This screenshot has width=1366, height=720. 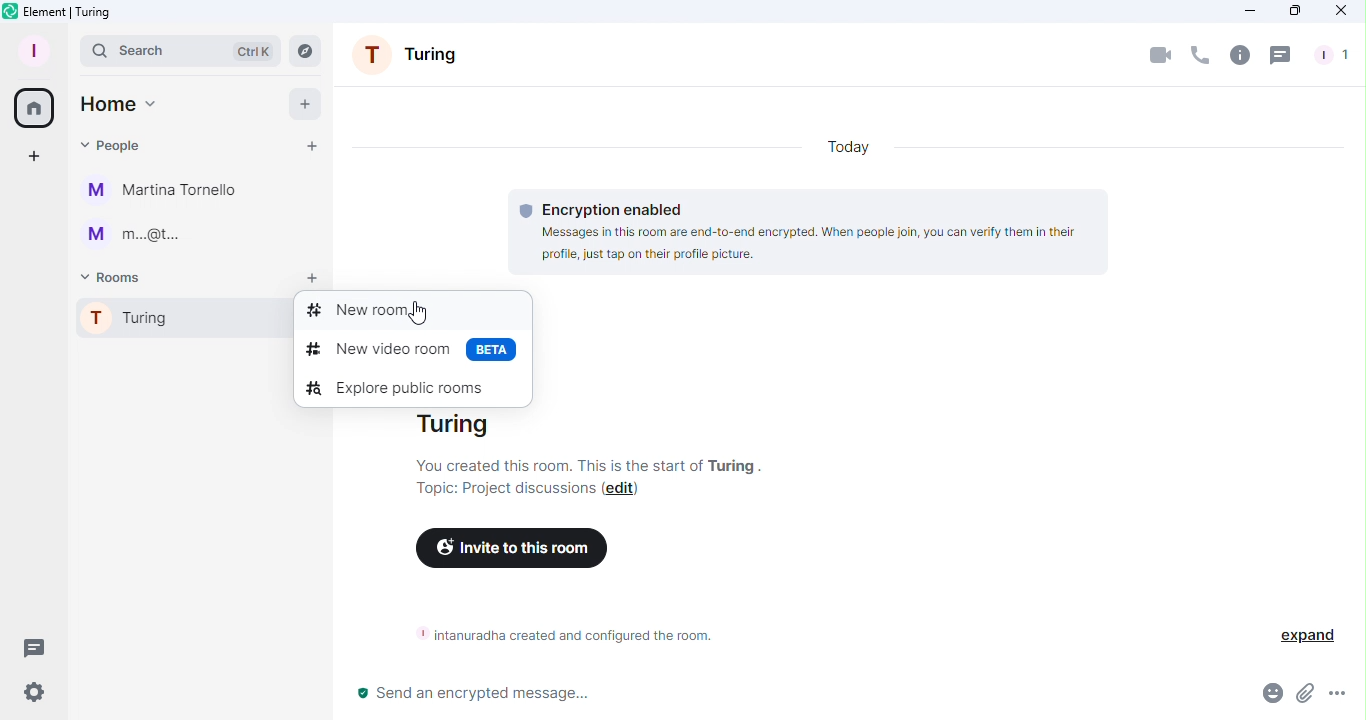 I want to click on Maximize, so click(x=1293, y=11).